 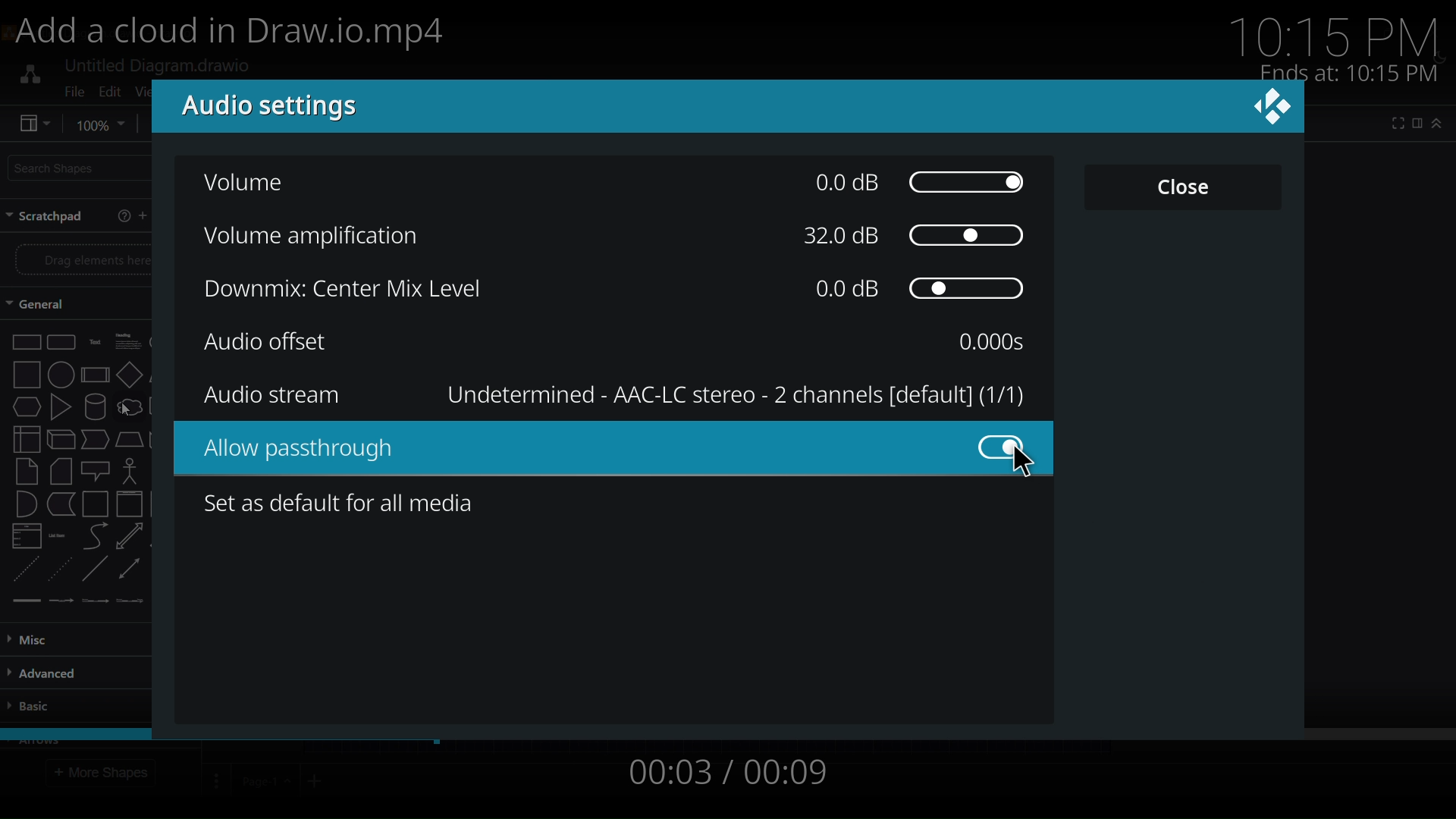 What do you see at coordinates (253, 181) in the screenshot?
I see `volume` at bounding box center [253, 181].